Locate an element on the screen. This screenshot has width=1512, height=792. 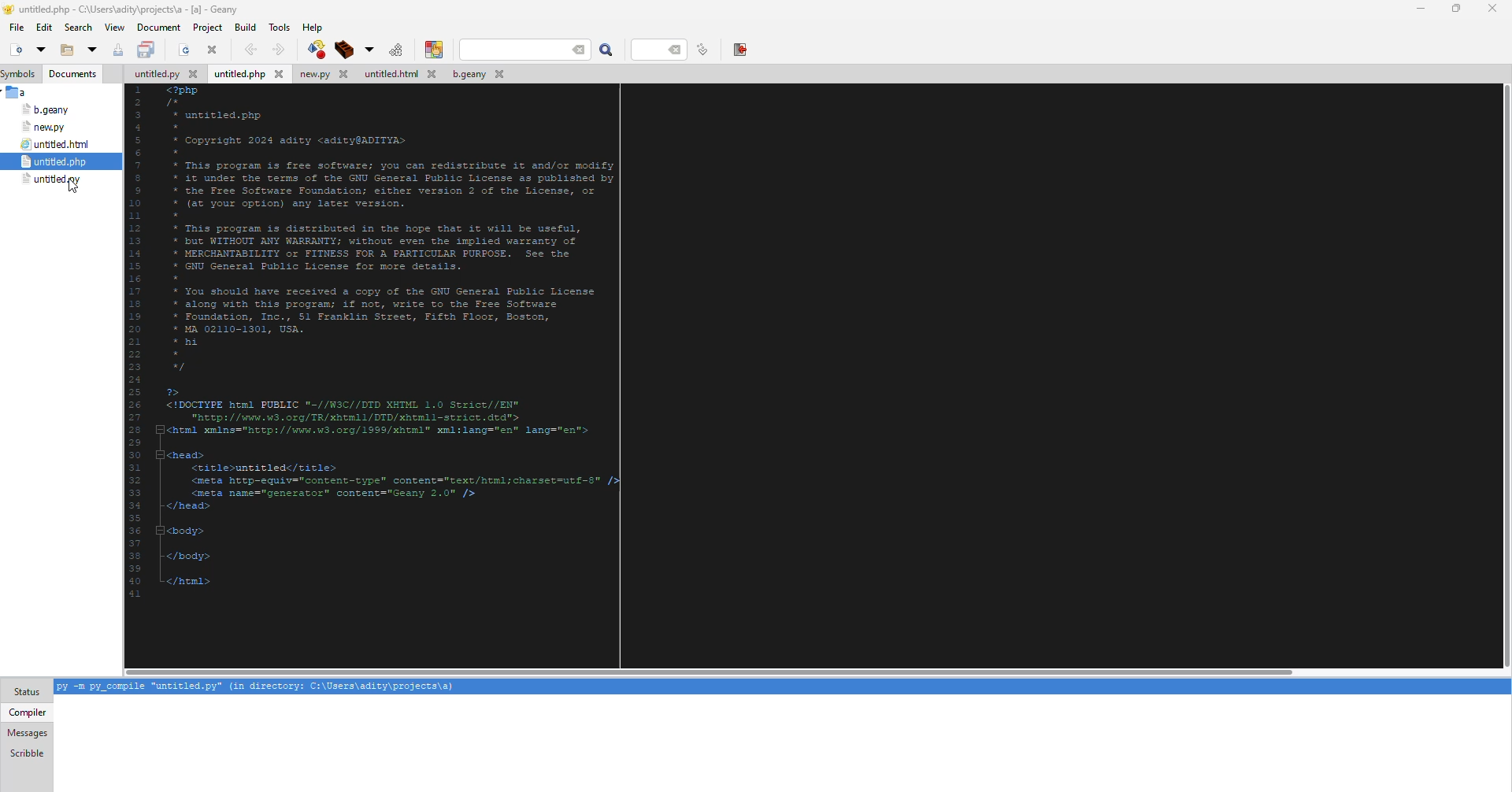
file is located at coordinates (17, 92).